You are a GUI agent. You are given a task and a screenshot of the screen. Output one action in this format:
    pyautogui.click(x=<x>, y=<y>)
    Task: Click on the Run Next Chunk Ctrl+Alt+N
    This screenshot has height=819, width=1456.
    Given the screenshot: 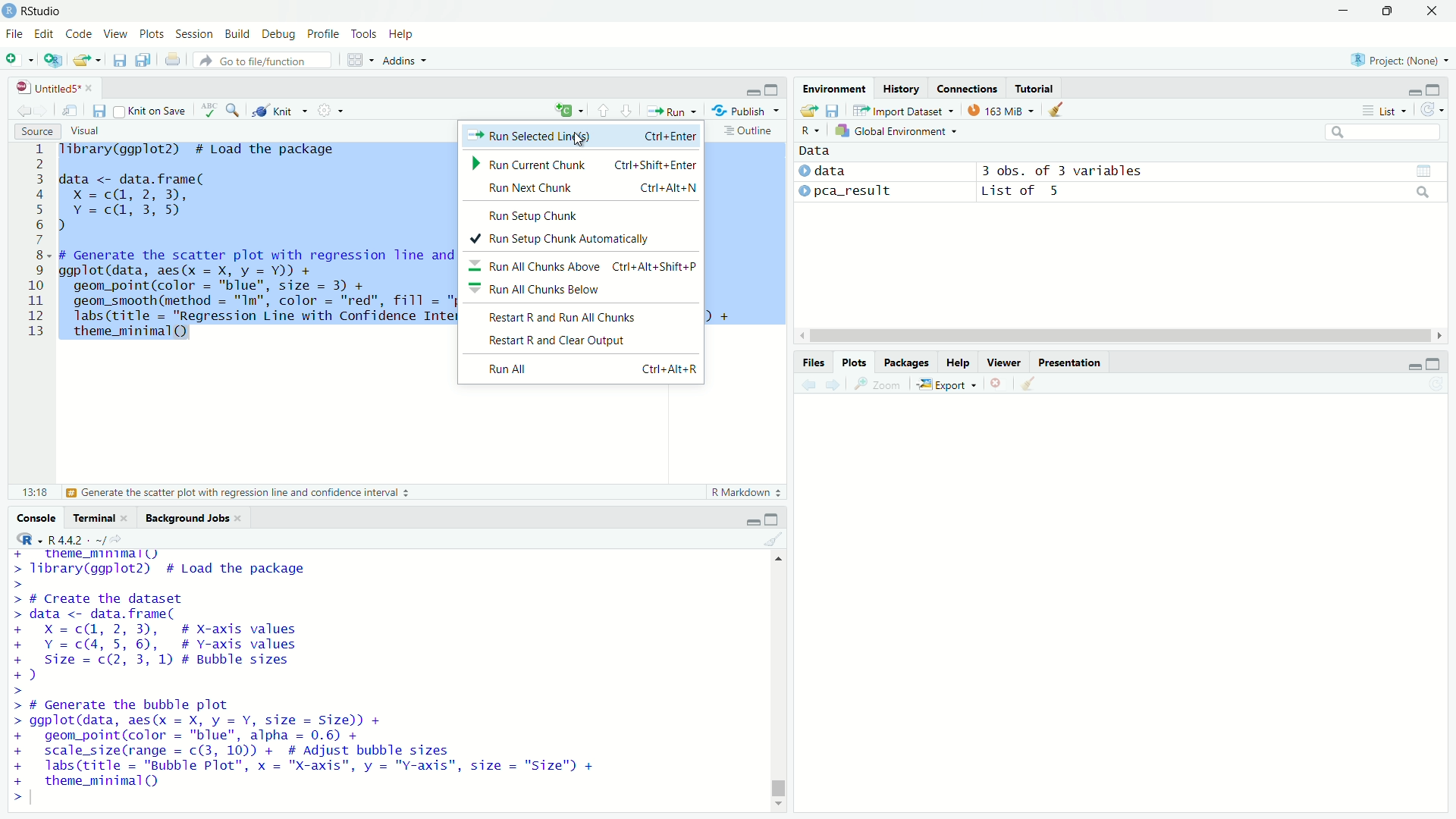 What is the action you would take?
    pyautogui.click(x=582, y=189)
    